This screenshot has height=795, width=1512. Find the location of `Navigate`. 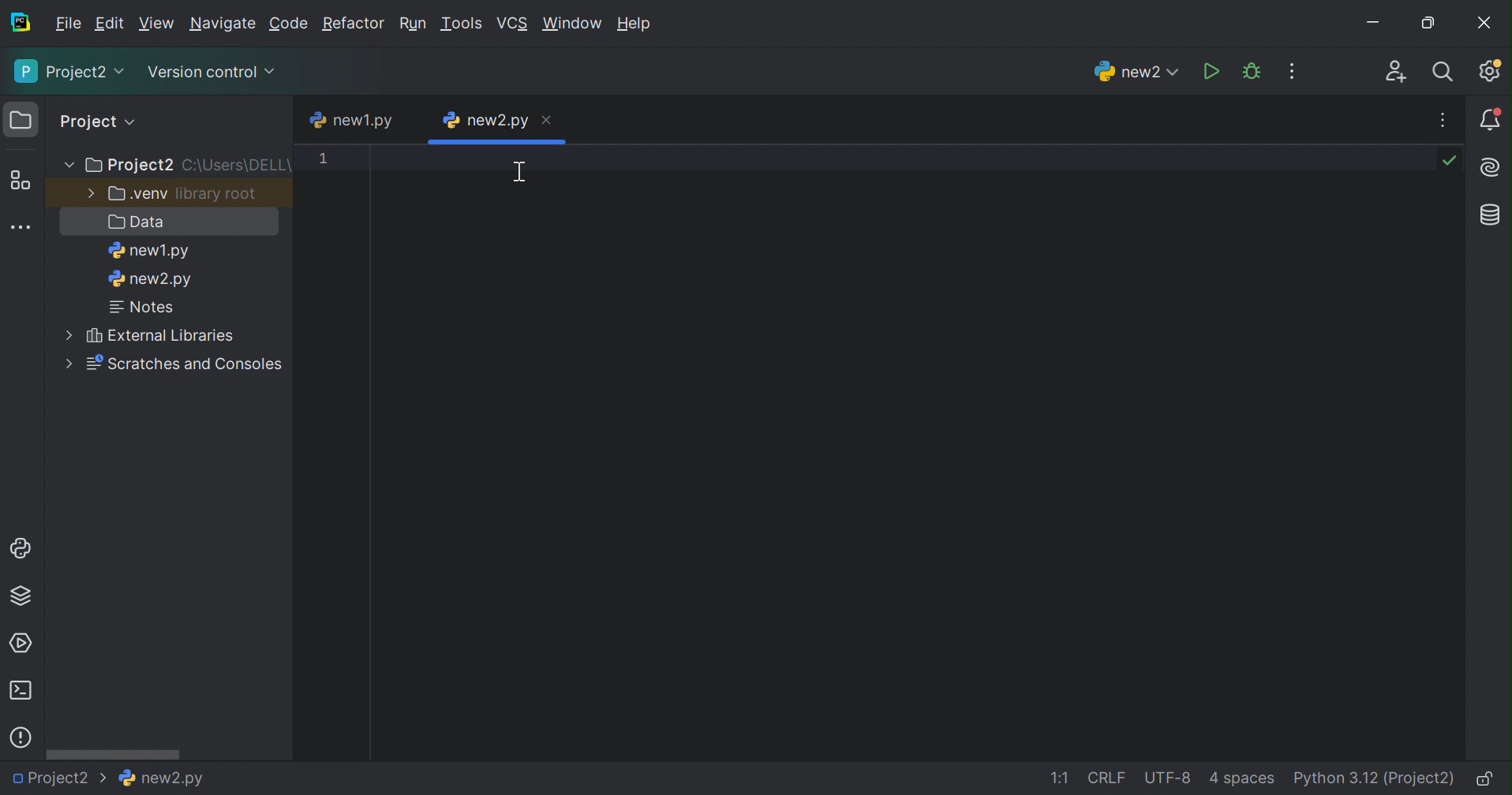

Navigate is located at coordinates (225, 24).